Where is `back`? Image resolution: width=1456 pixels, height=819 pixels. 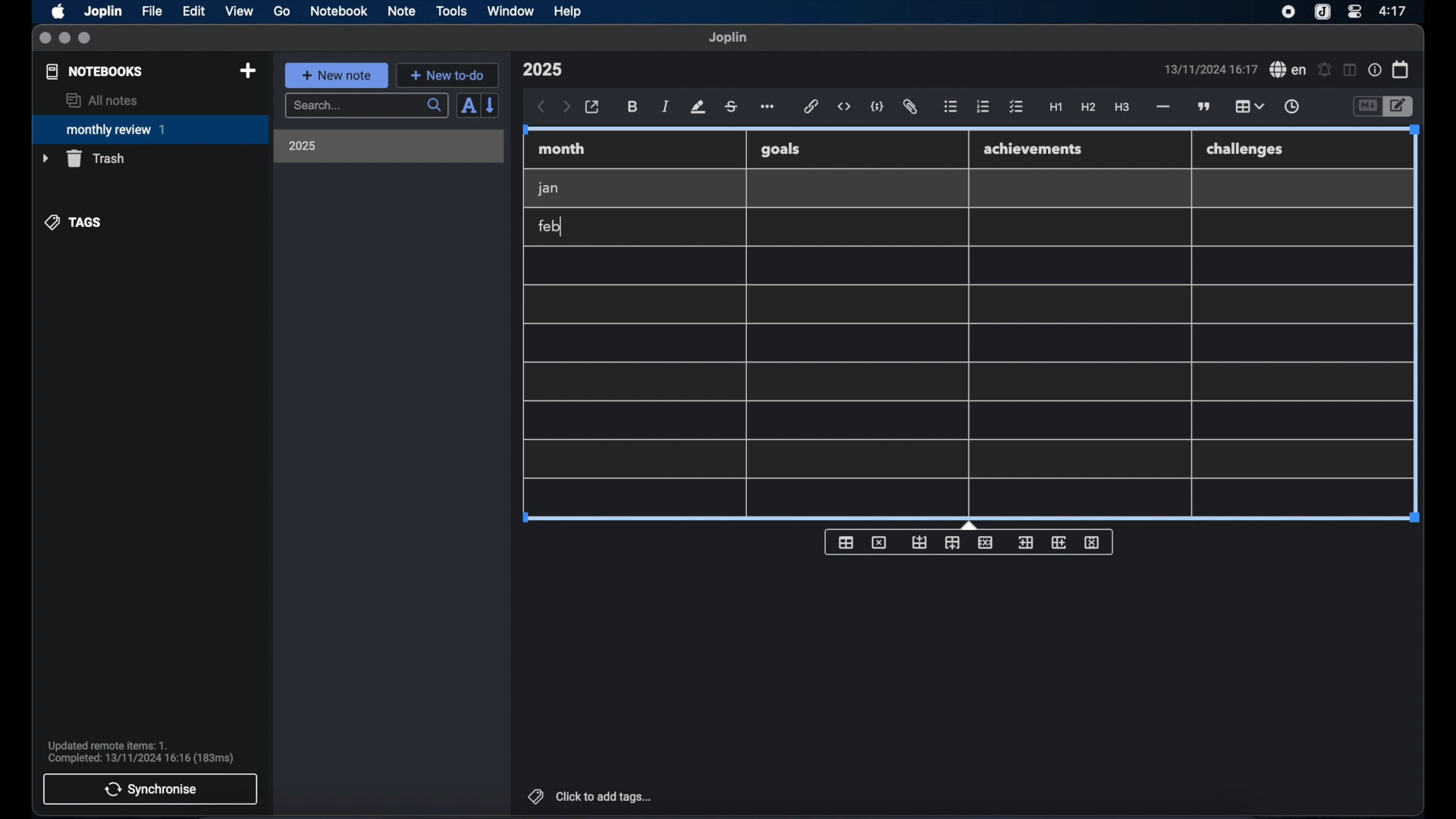 back is located at coordinates (541, 107).